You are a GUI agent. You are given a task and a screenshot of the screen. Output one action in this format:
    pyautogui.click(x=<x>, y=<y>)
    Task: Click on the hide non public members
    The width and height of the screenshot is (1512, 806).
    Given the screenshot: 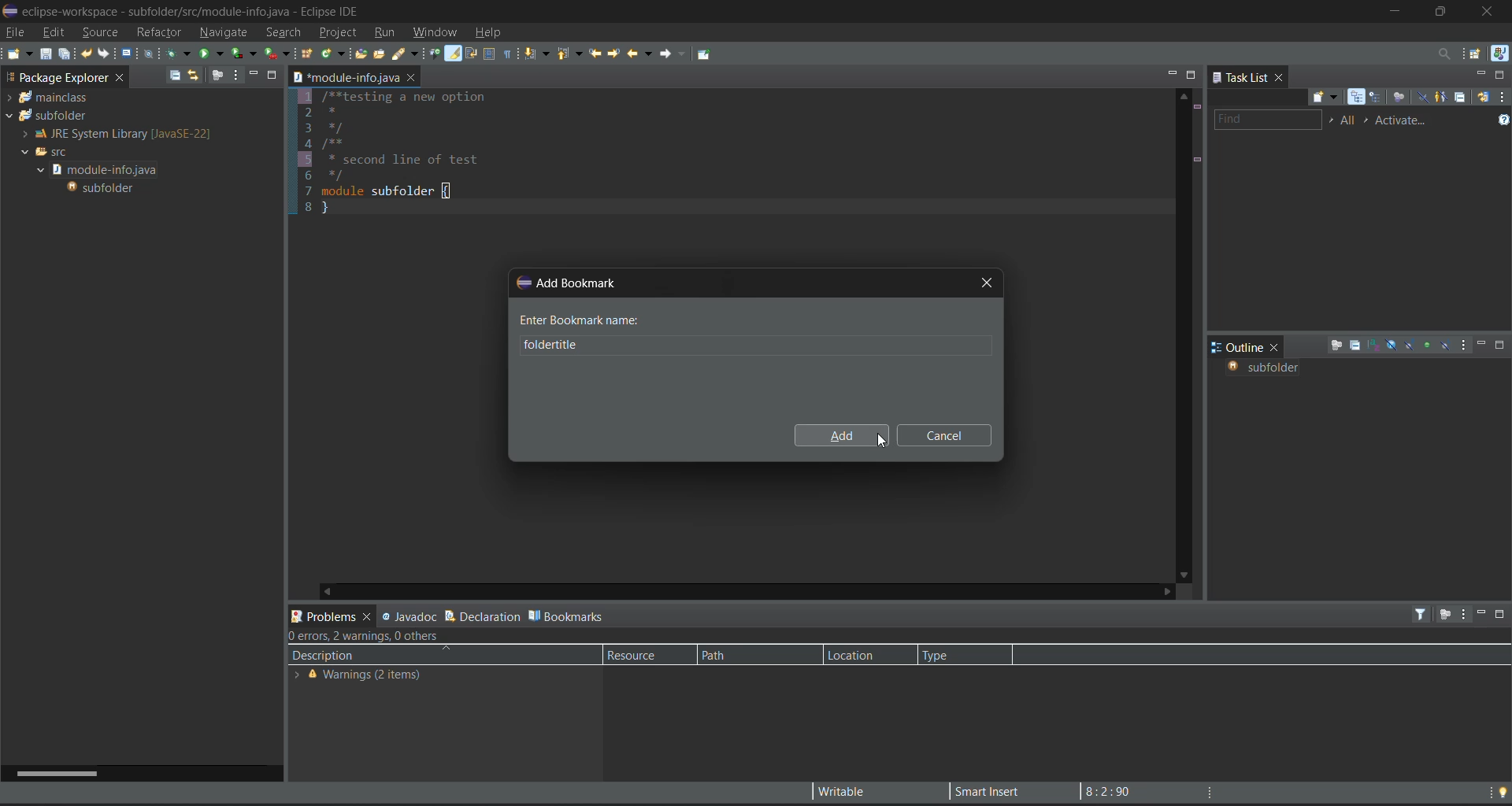 What is the action you would take?
    pyautogui.click(x=1428, y=343)
    